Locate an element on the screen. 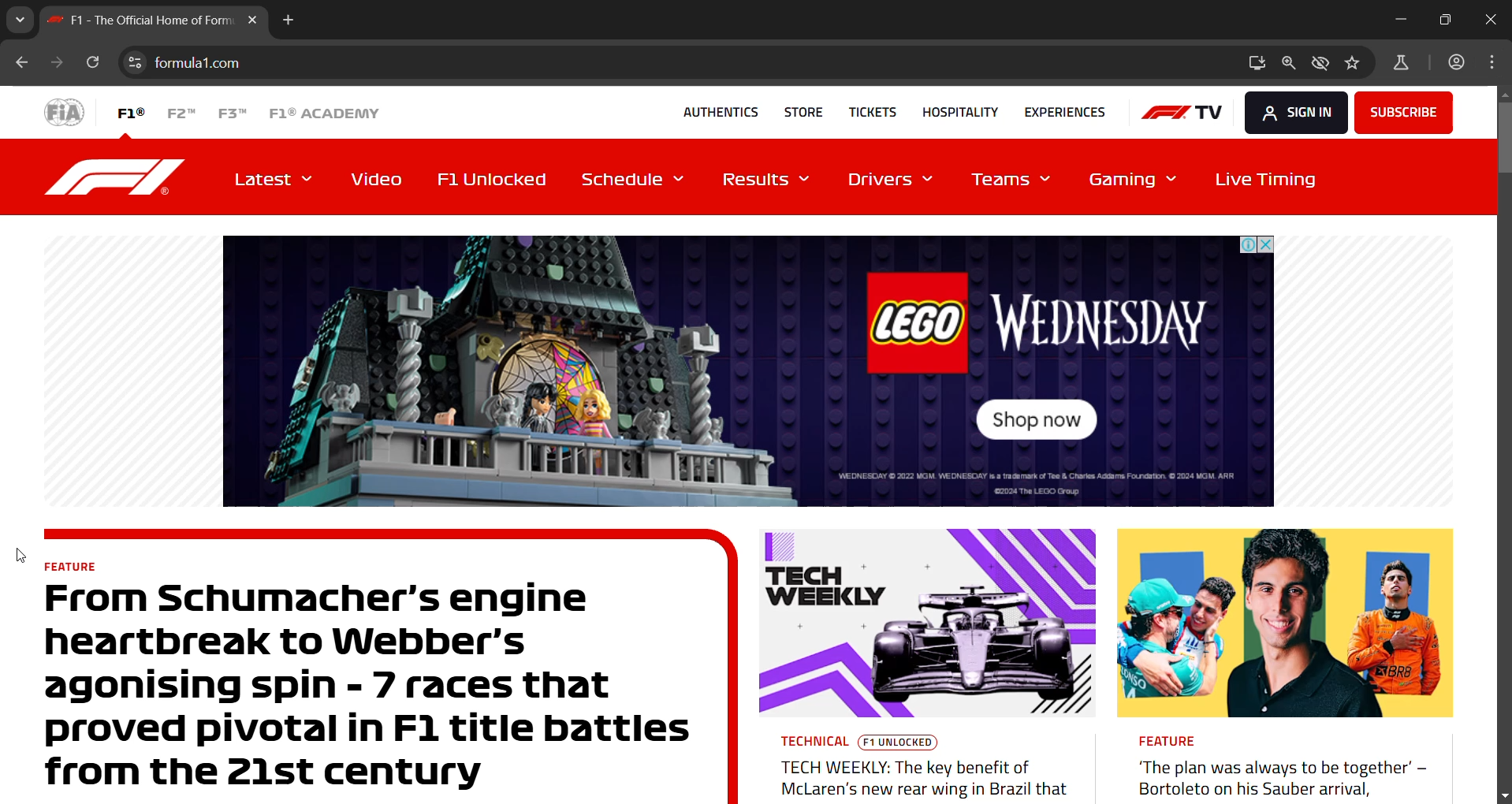 The image size is (1512, 804). TV is located at coordinates (1181, 111).